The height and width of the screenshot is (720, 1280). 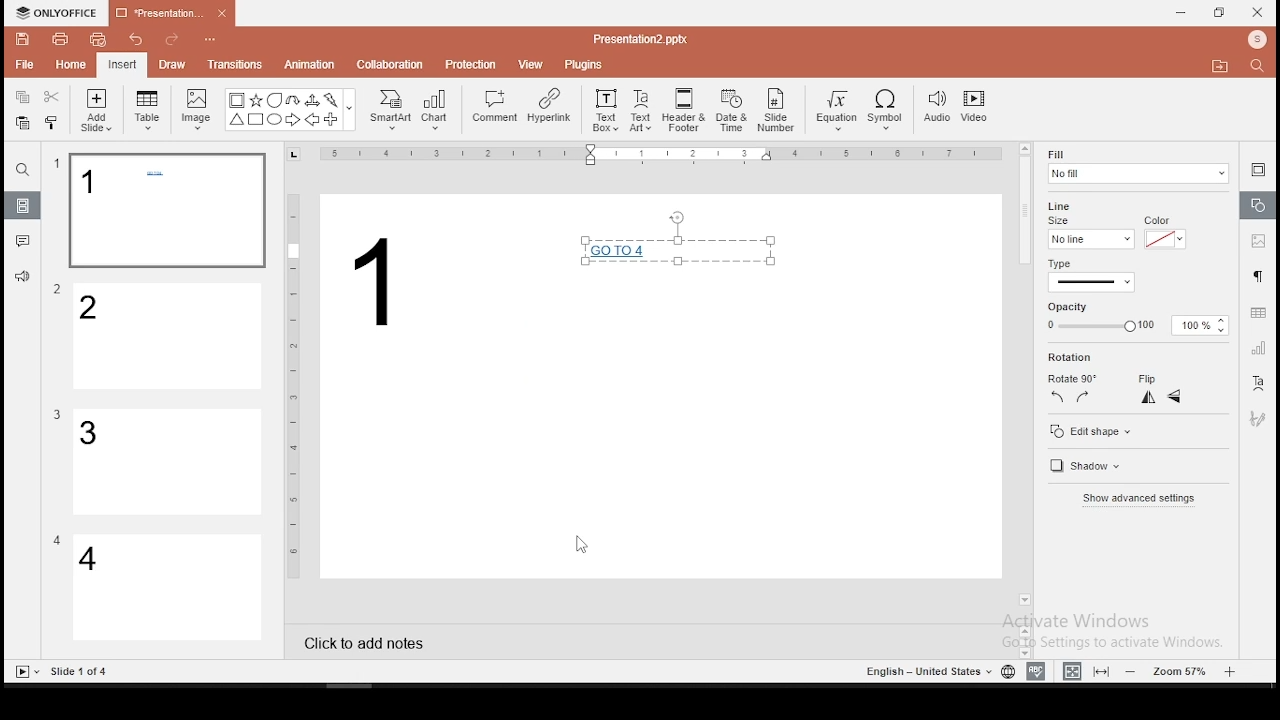 I want to click on slides, so click(x=24, y=206).